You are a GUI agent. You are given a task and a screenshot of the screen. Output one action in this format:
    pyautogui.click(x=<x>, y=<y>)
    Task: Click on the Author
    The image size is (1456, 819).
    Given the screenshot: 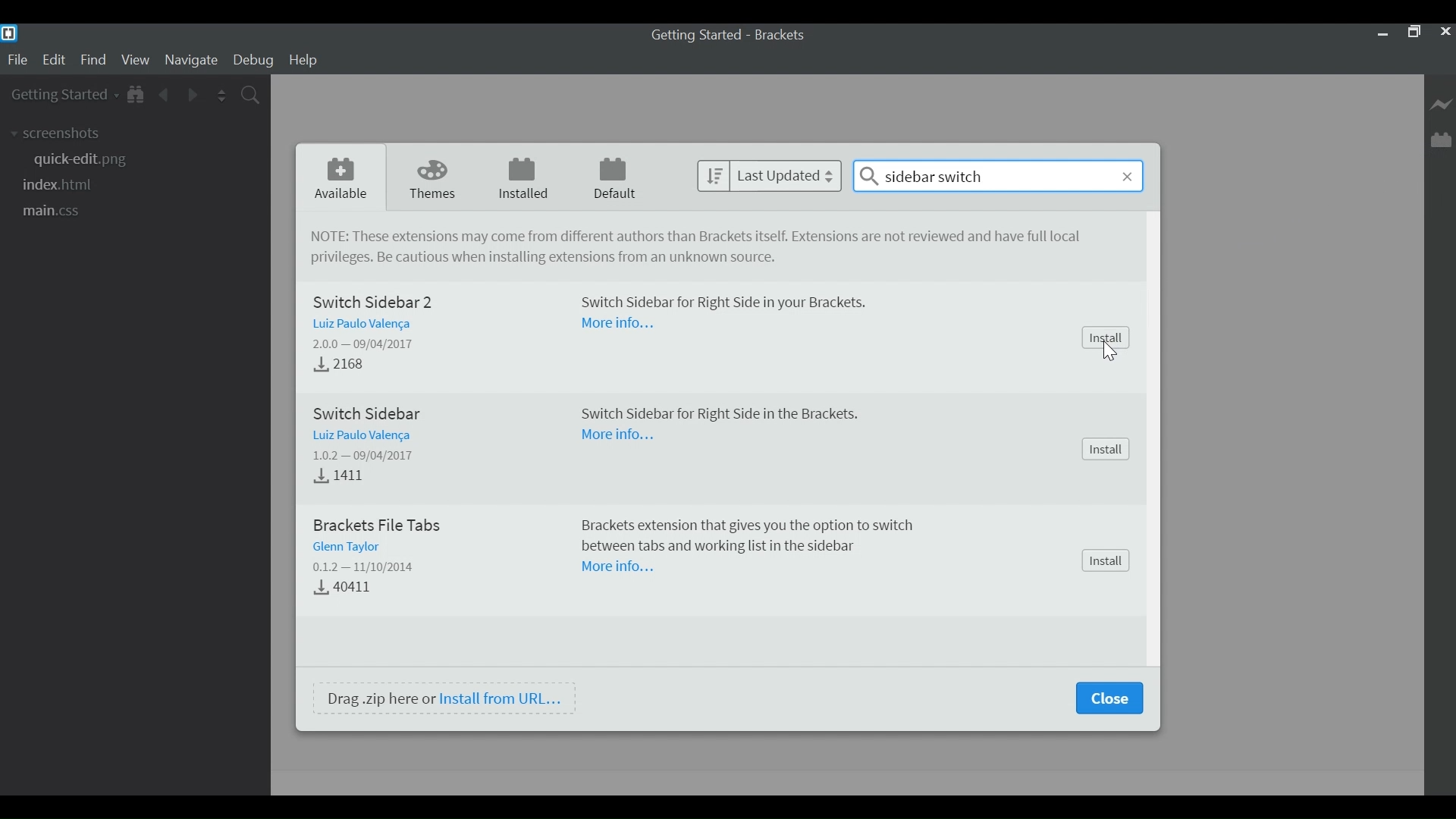 What is the action you would take?
    pyautogui.click(x=369, y=324)
    